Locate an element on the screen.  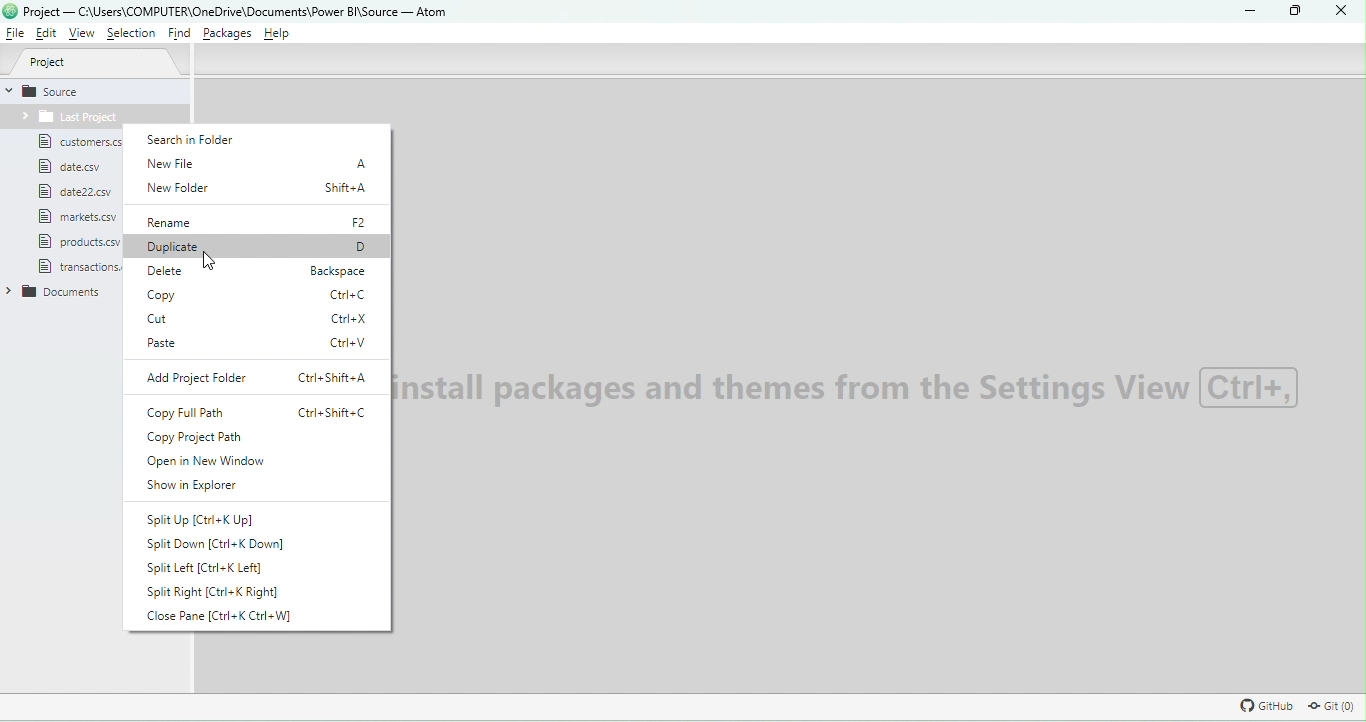
close is located at coordinates (1338, 12).